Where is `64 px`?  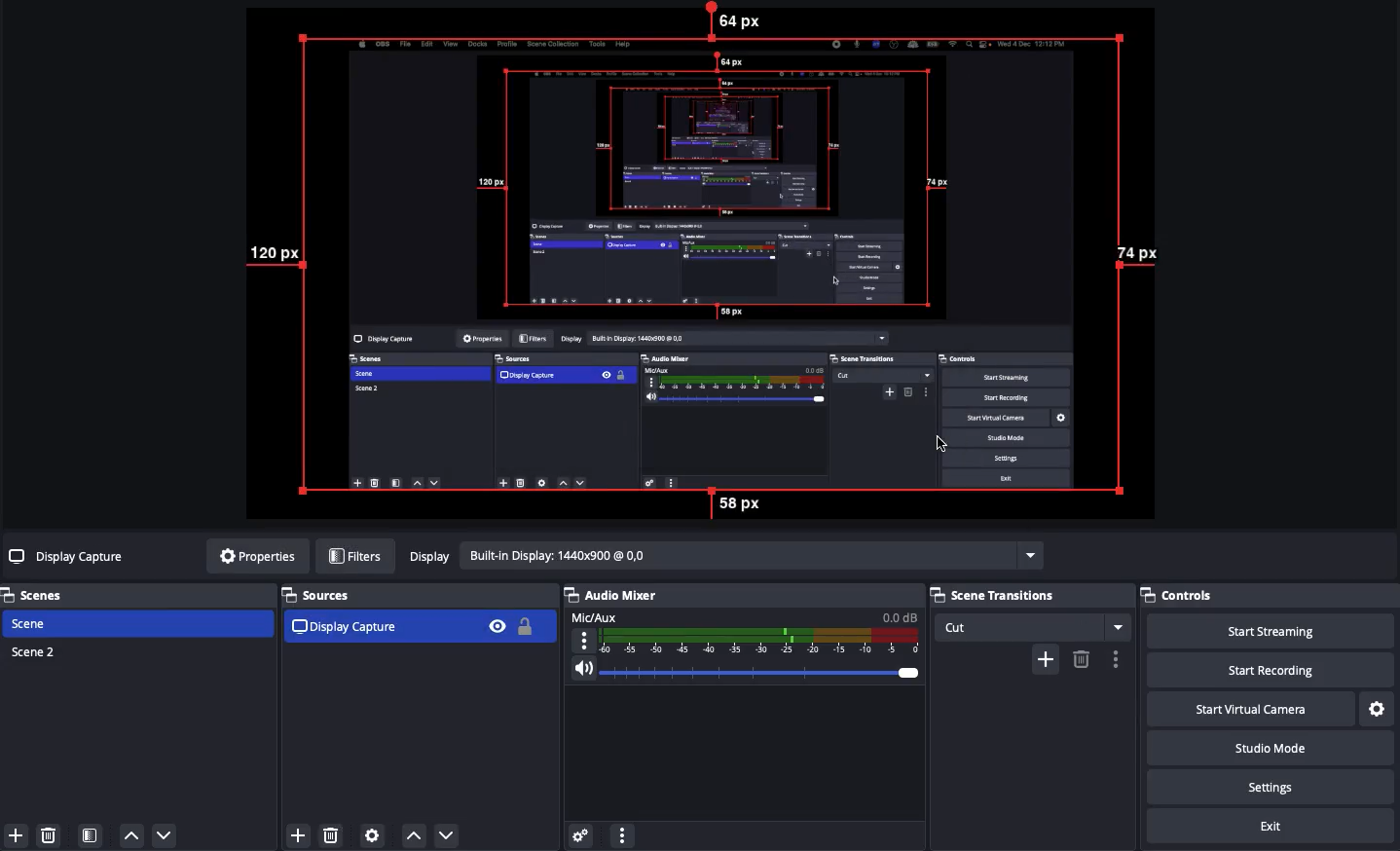 64 px is located at coordinates (736, 22).